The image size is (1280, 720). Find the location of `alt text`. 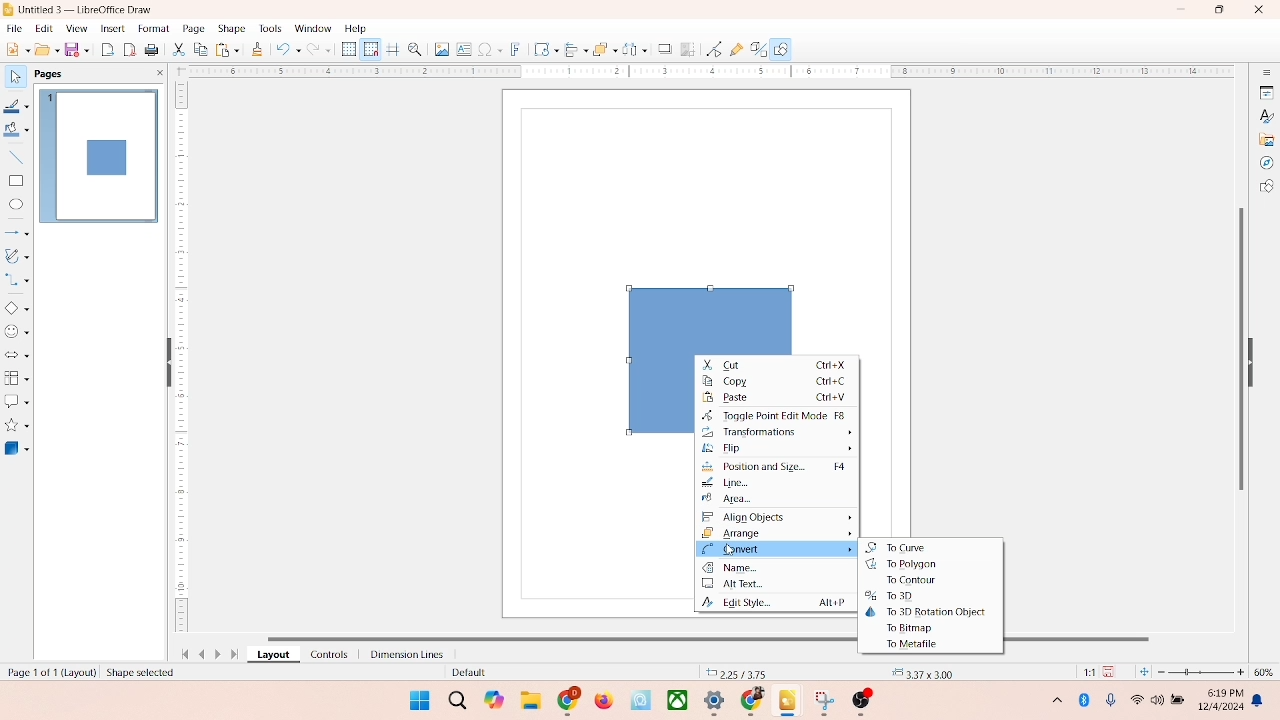

alt text is located at coordinates (777, 586).